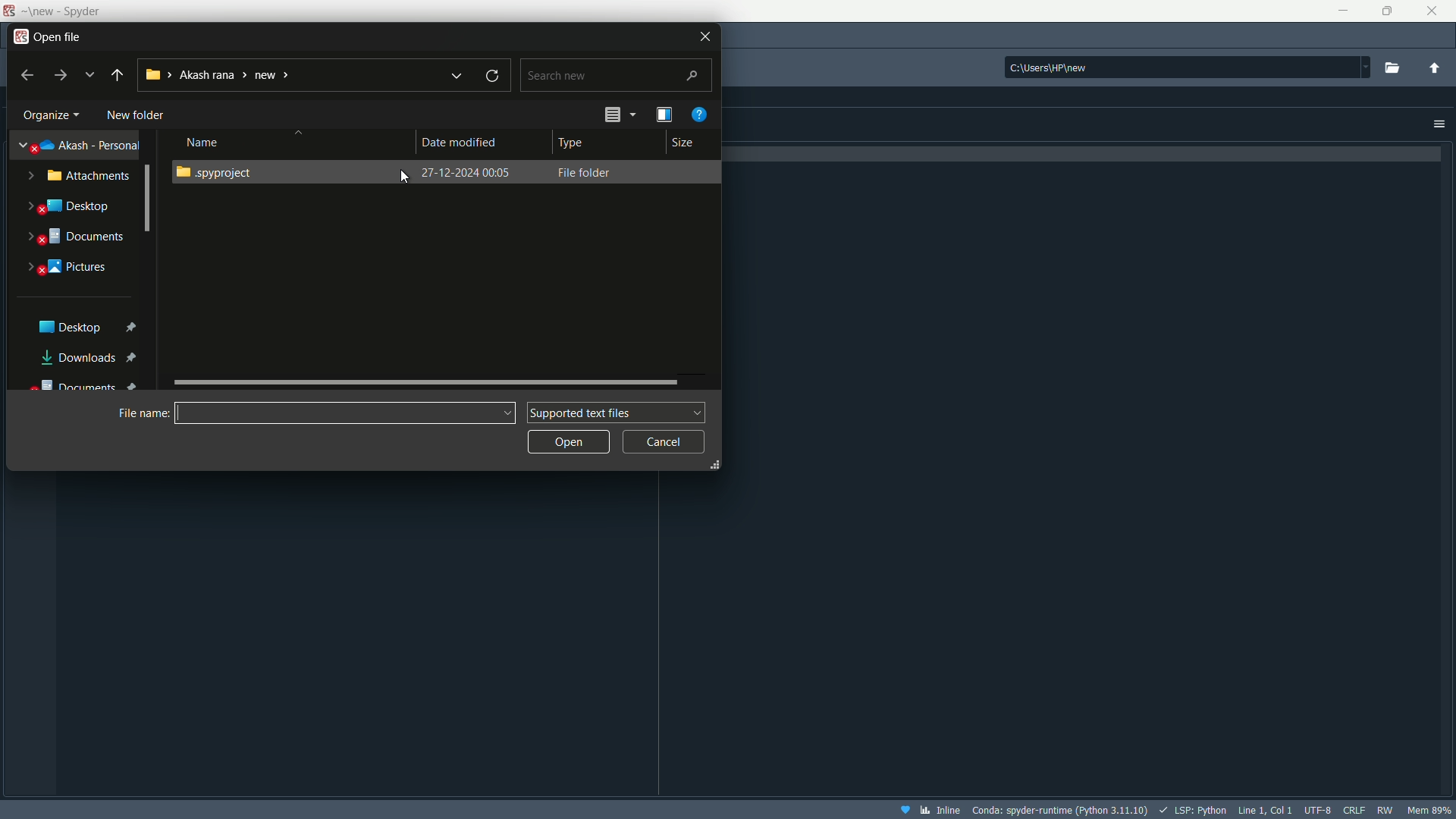 The height and width of the screenshot is (819, 1456). Describe the element at coordinates (705, 37) in the screenshot. I see `Close file` at that location.